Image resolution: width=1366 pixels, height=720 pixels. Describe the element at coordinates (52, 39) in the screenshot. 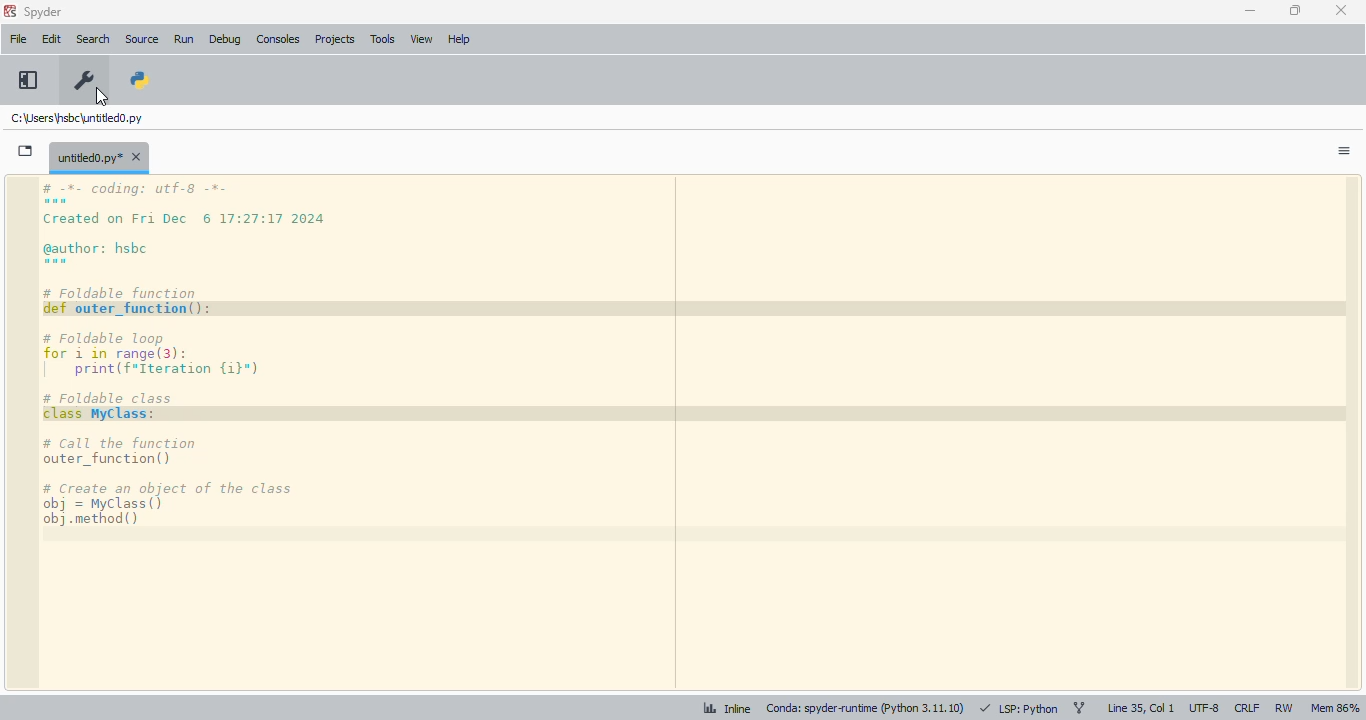

I see `edit` at that location.